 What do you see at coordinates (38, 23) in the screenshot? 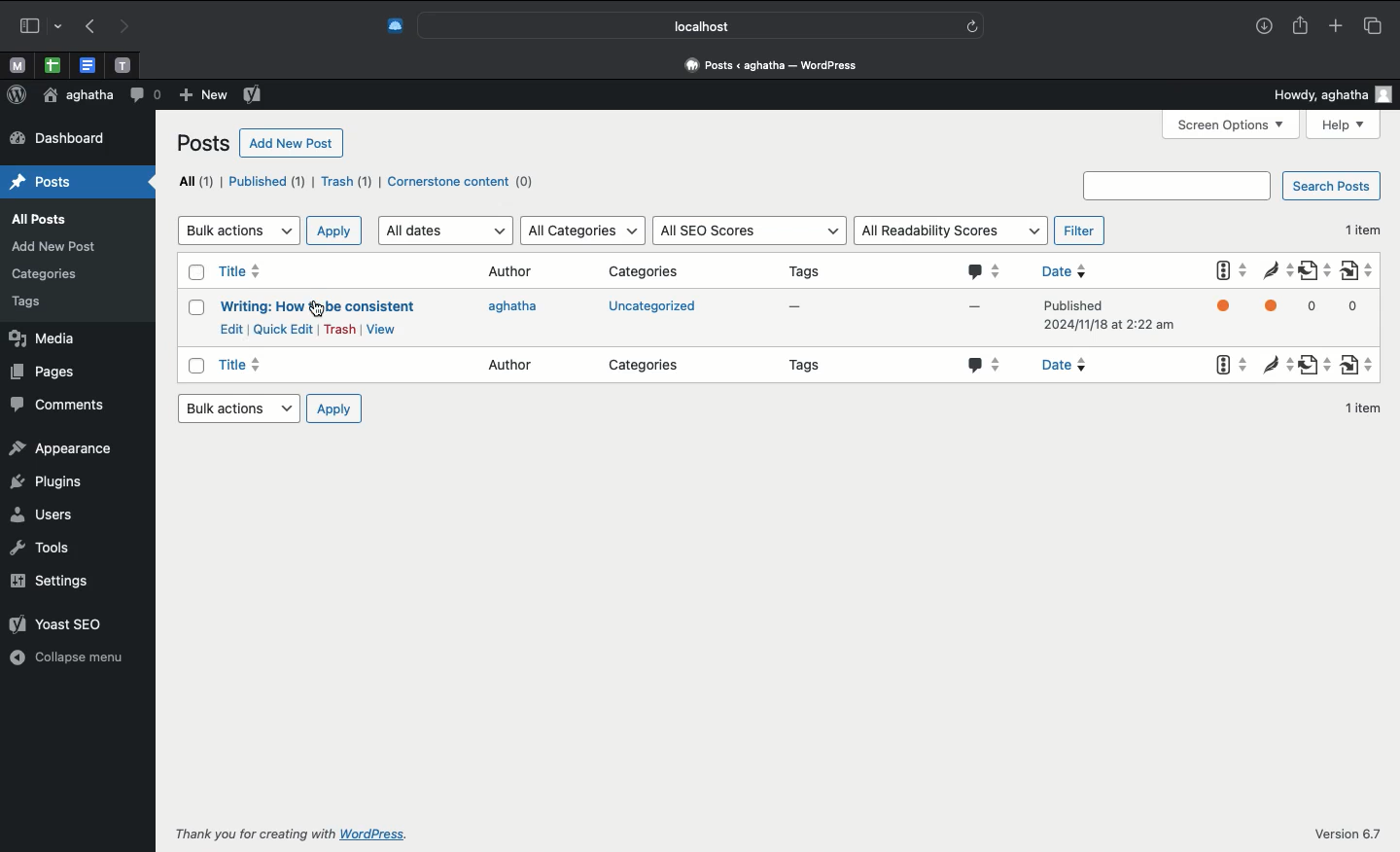
I see `Sidebar` at bounding box center [38, 23].